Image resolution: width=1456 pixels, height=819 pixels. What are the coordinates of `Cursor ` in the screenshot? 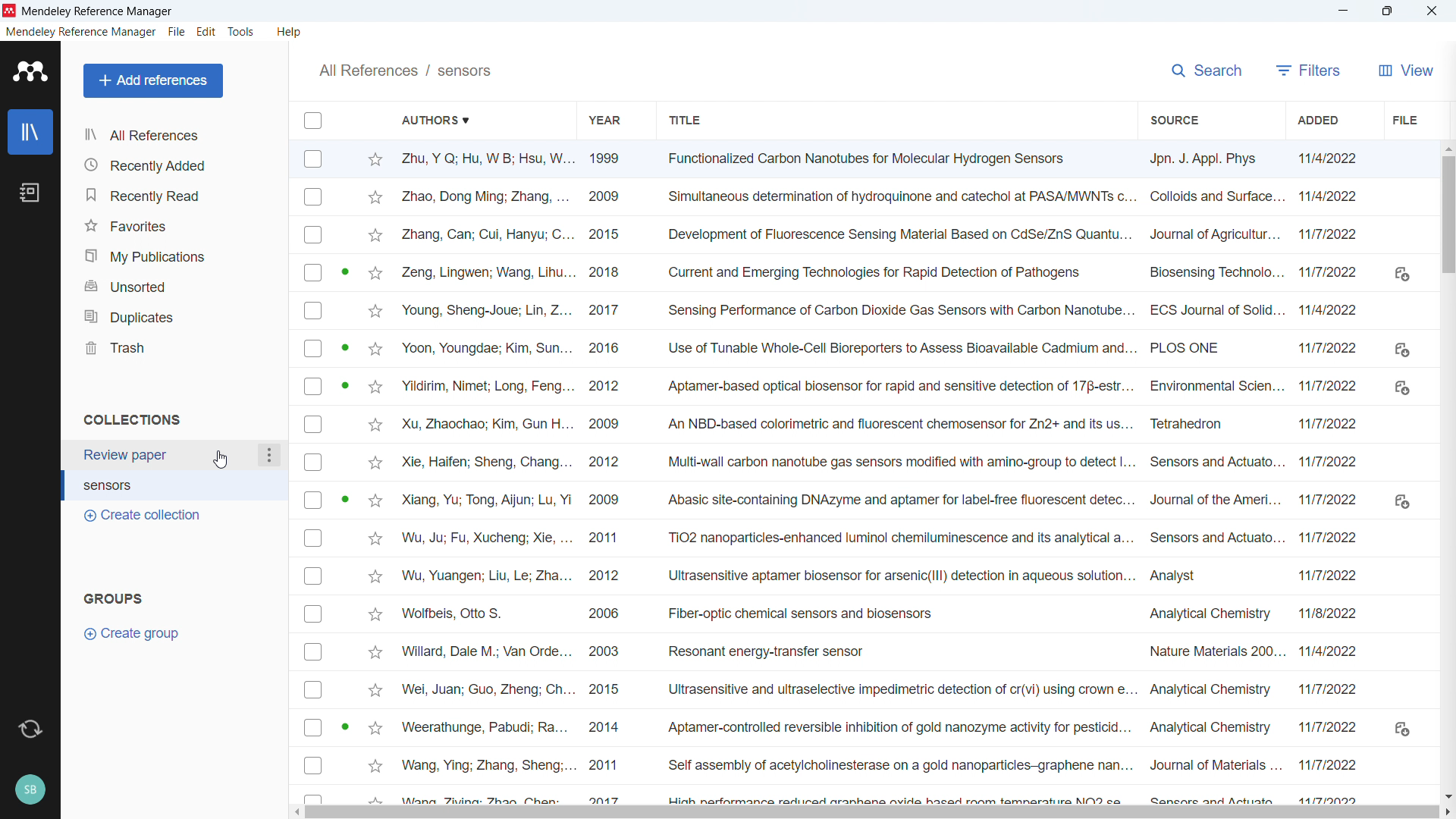 It's located at (218, 460).